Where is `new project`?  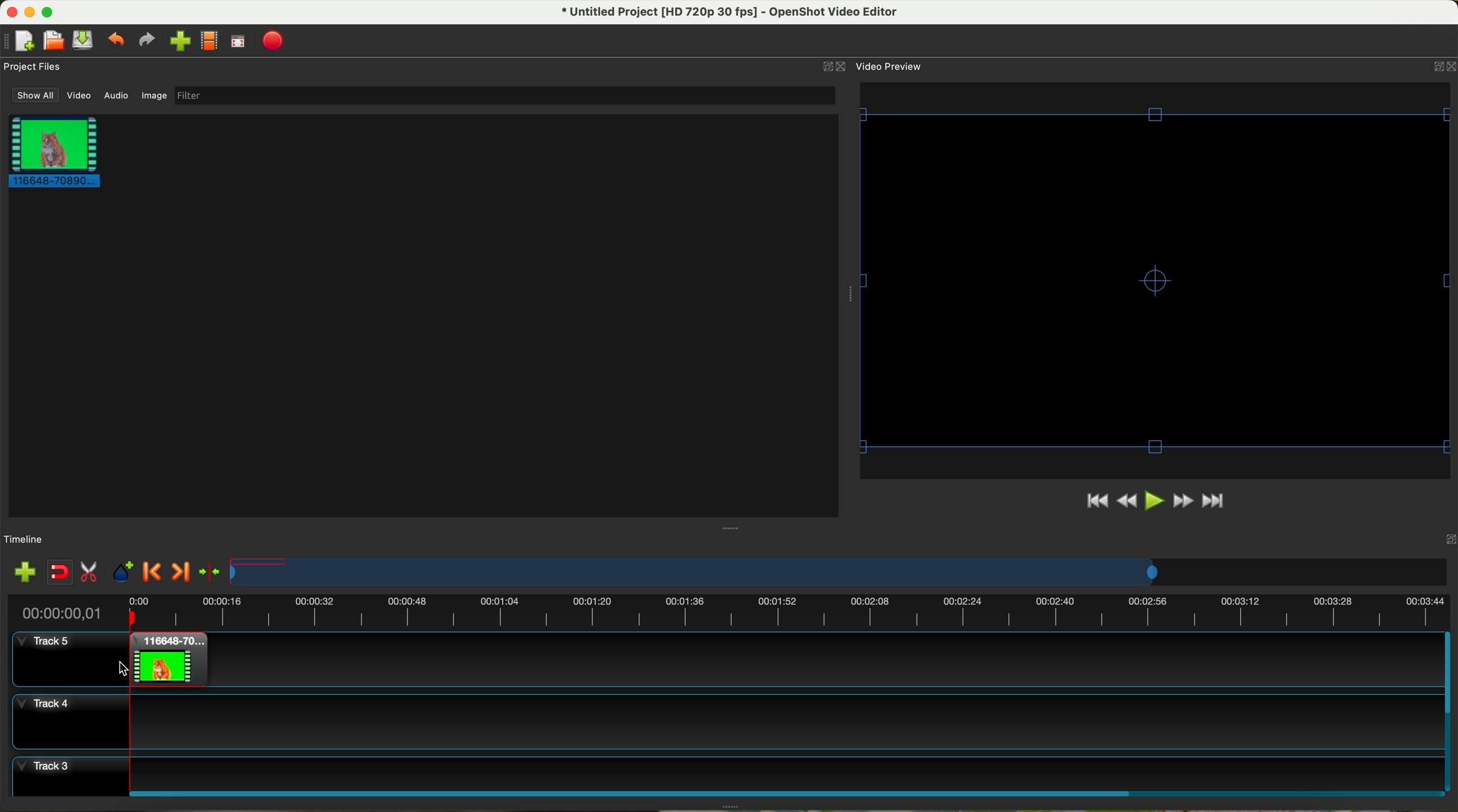 new project is located at coordinates (19, 41).